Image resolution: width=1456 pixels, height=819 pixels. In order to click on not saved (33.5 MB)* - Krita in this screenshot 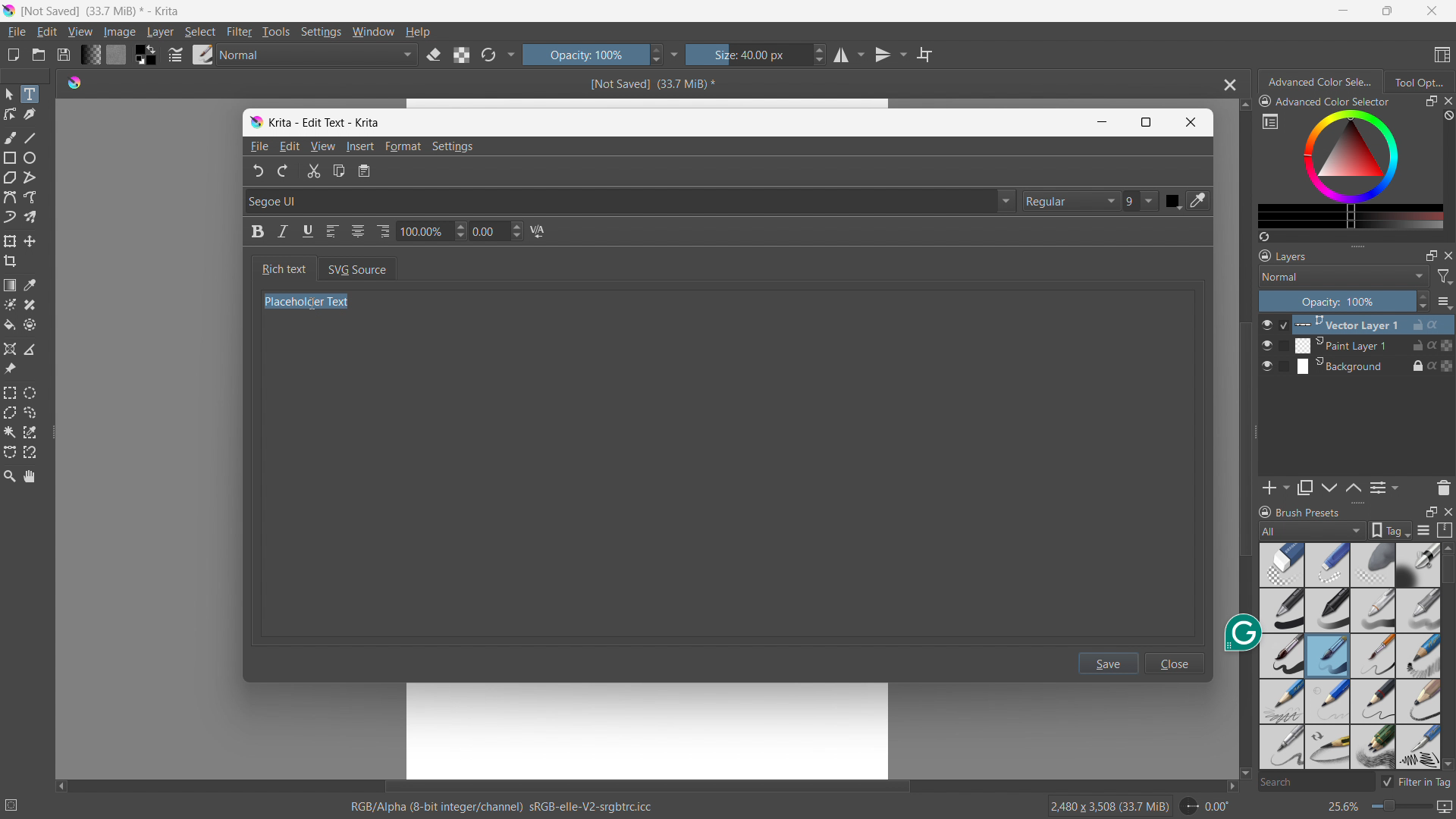, I will do `click(104, 10)`.